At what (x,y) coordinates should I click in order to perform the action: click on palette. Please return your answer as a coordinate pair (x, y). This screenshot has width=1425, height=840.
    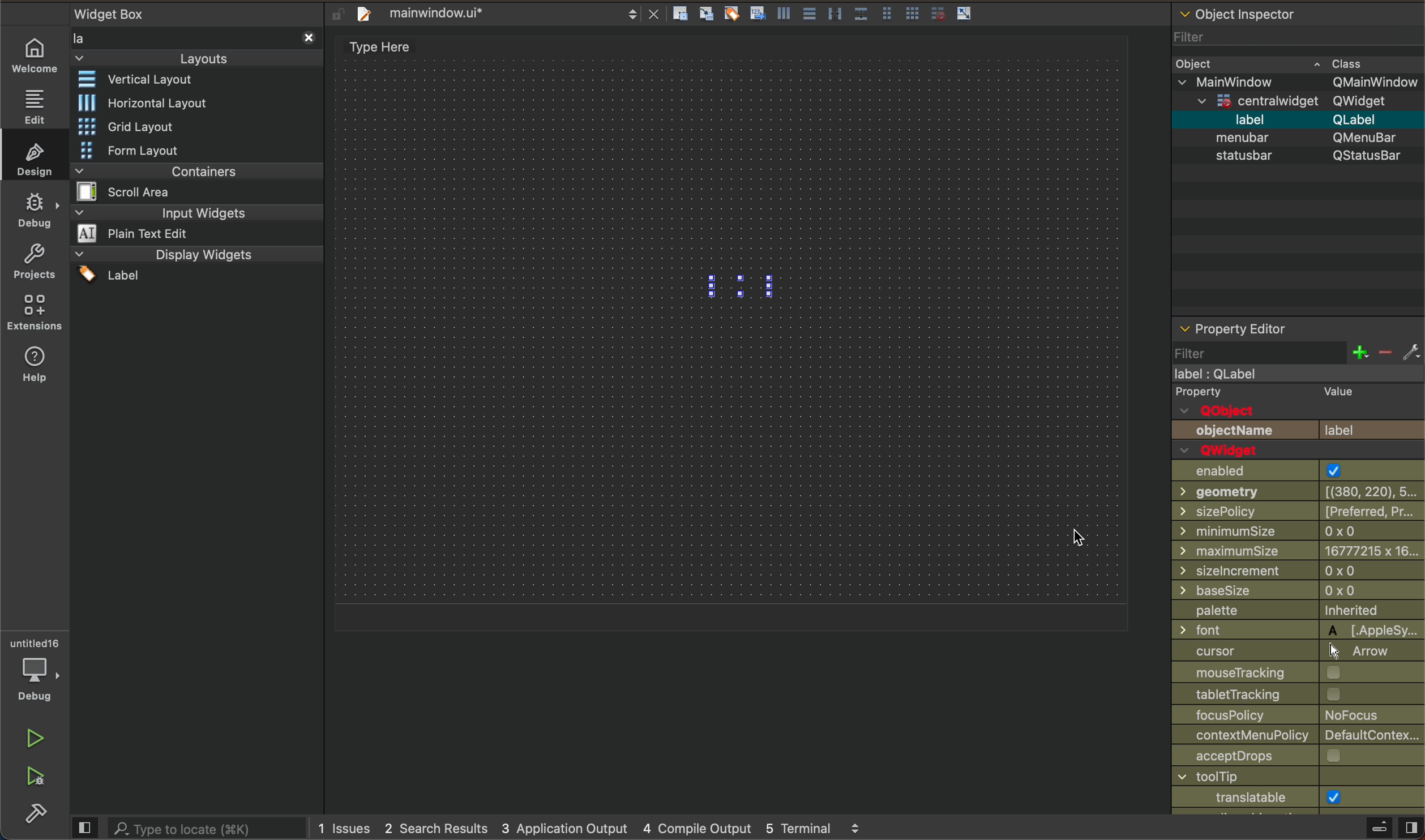
    Looking at the image, I should click on (1290, 611).